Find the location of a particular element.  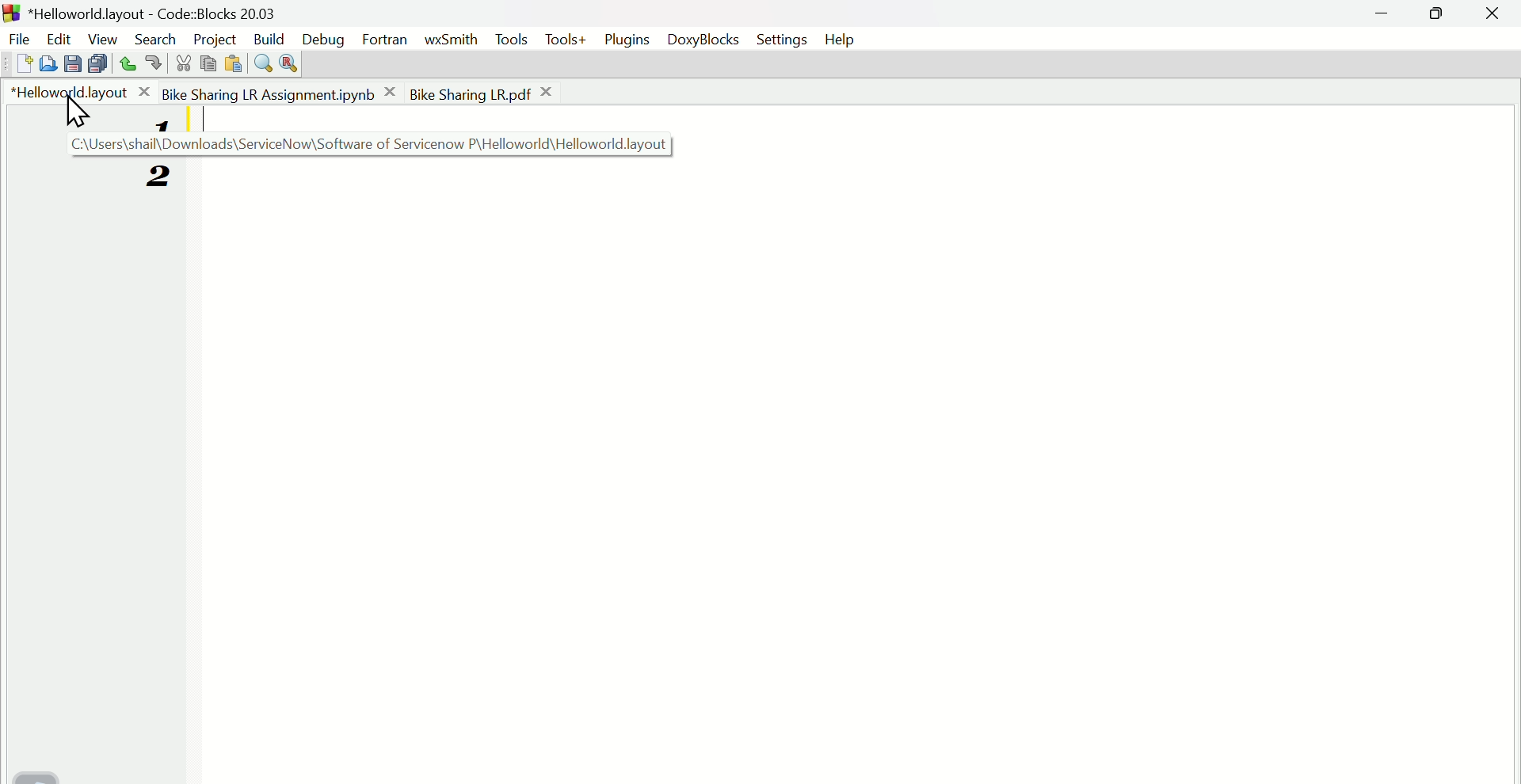

Close is located at coordinates (1496, 17).